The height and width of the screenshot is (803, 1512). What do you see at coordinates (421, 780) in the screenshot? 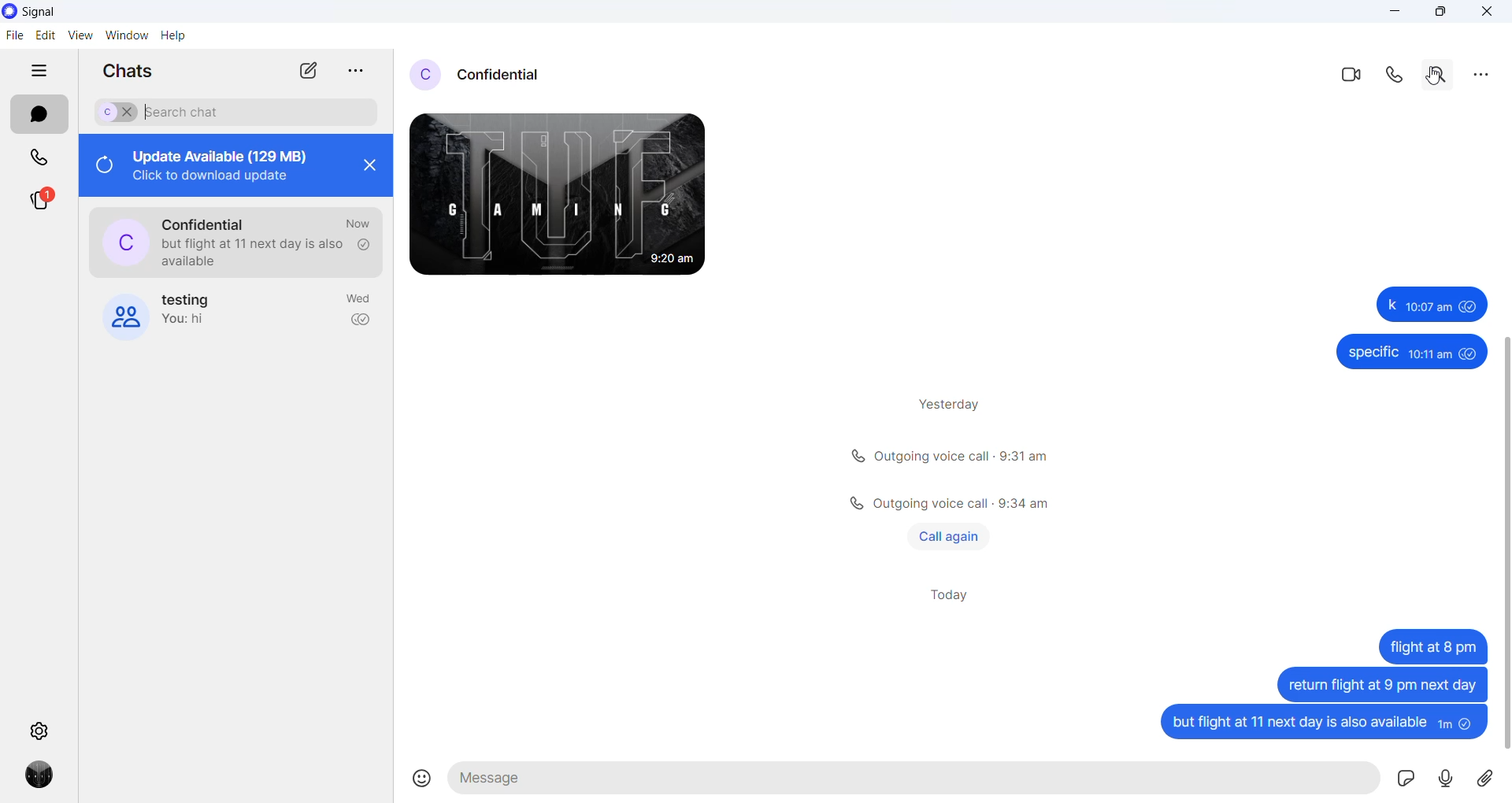
I see `emojis` at bounding box center [421, 780].